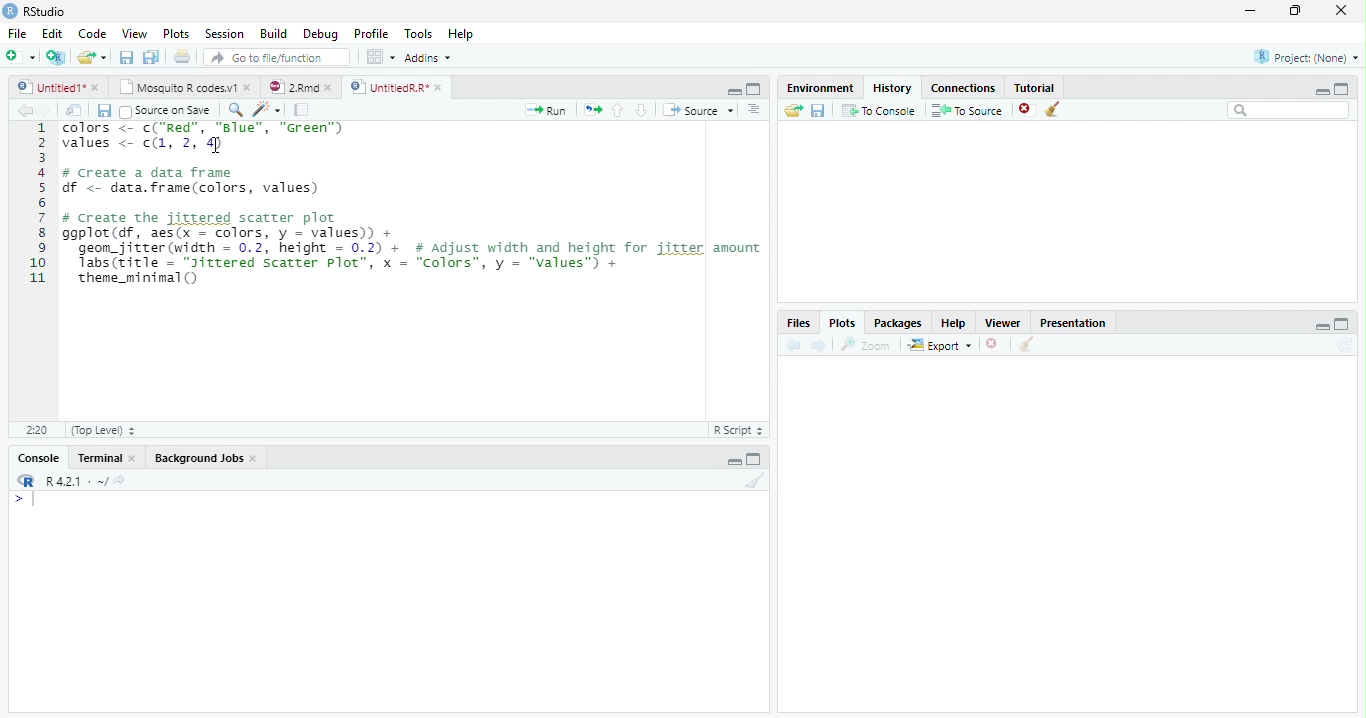 This screenshot has width=1366, height=718. What do you see at coordinates (328, 88) in the screenshot?
I see `close` at bounding box center [328, 88].